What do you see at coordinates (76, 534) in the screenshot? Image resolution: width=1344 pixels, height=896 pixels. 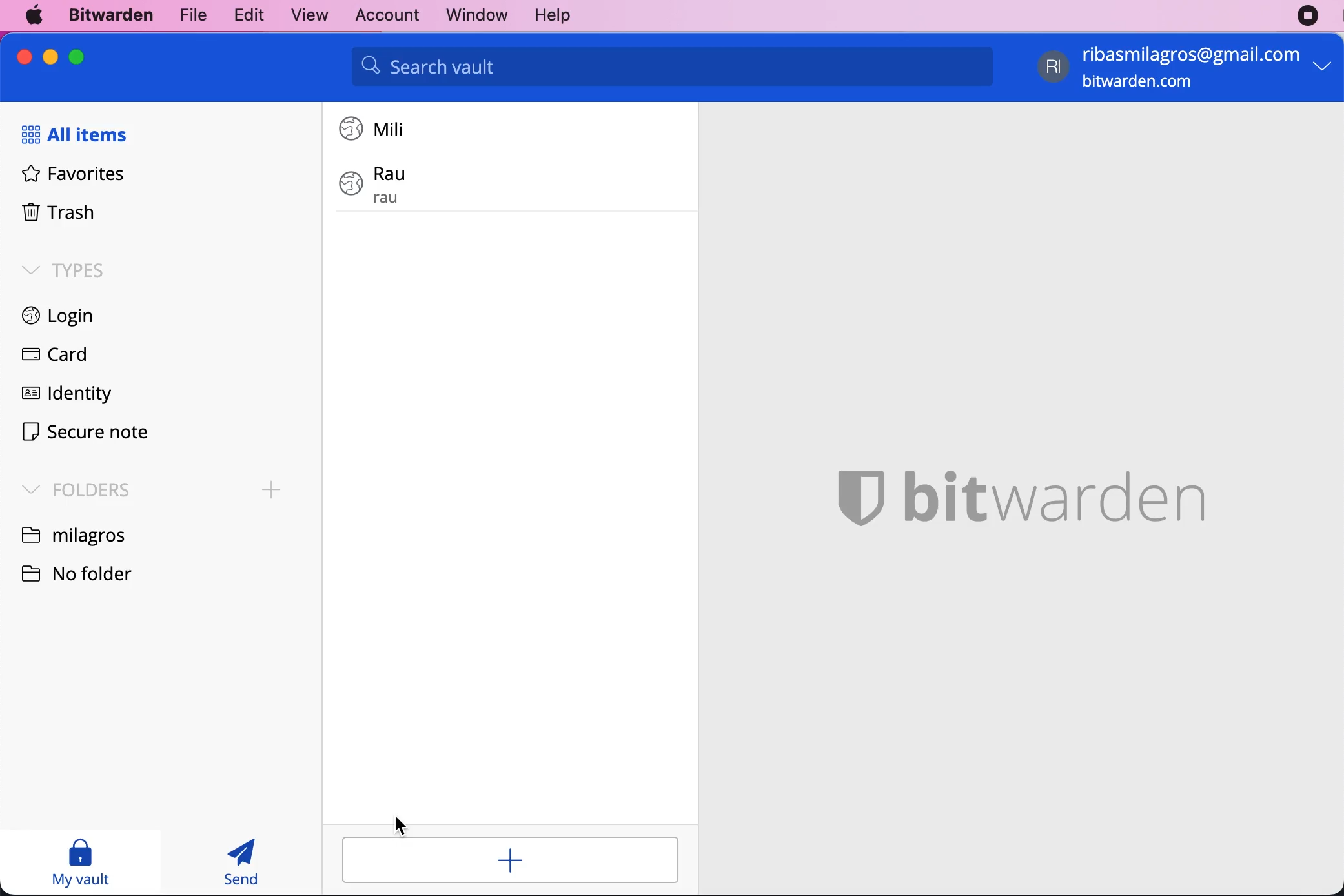 I see `folder name` at bounding box center [76, 534].